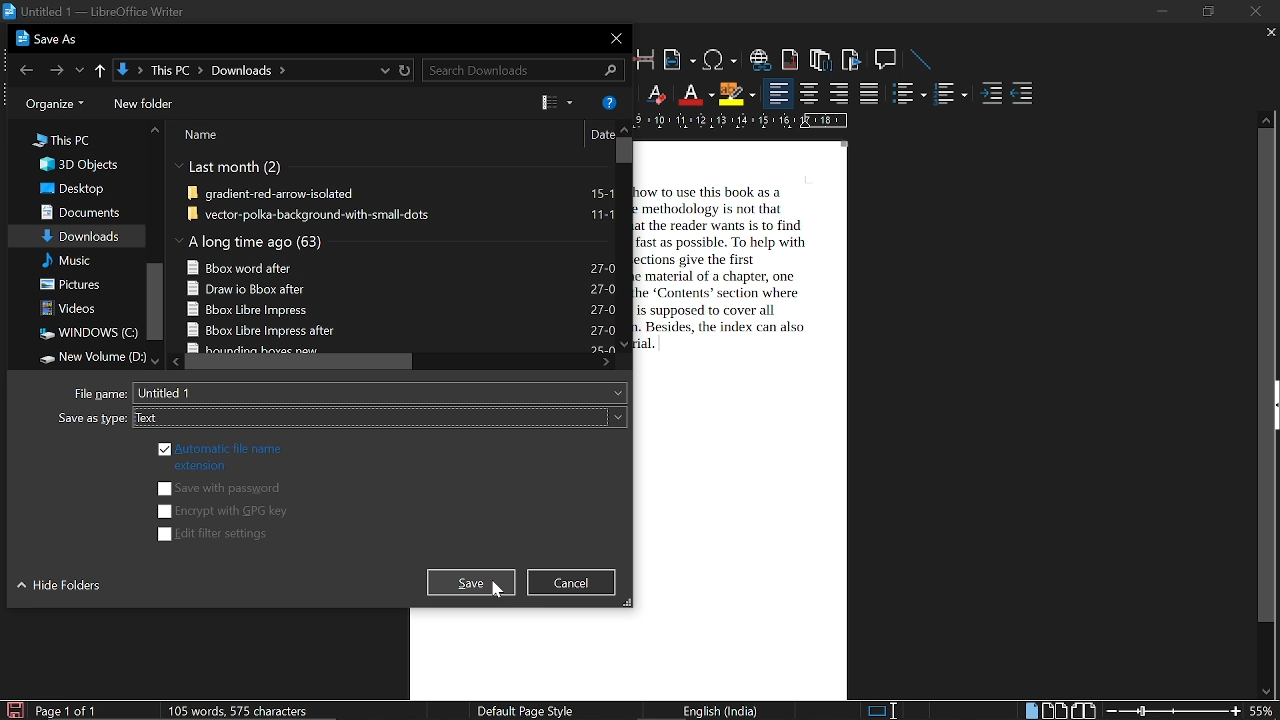 The image size is (1280, 720). I want to click on save, so click(472, 583).